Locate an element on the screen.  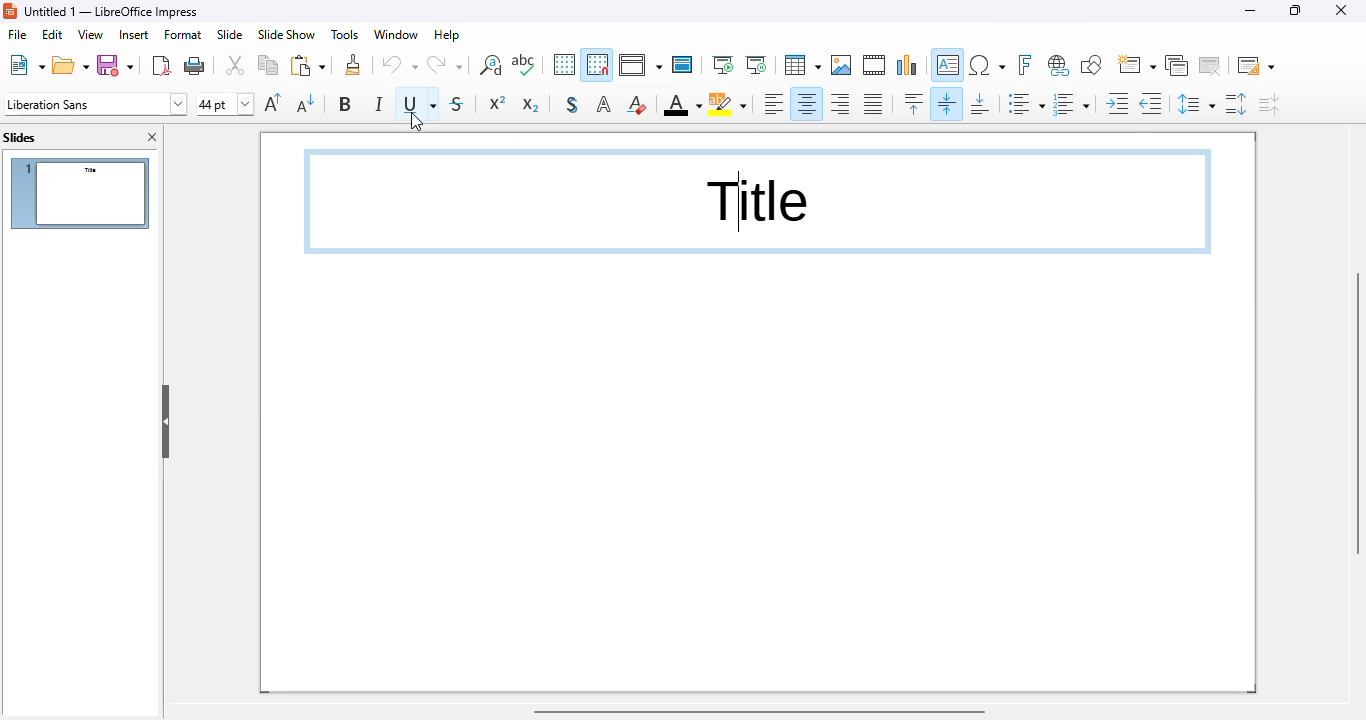
underline is located at coordinates (417, 104).